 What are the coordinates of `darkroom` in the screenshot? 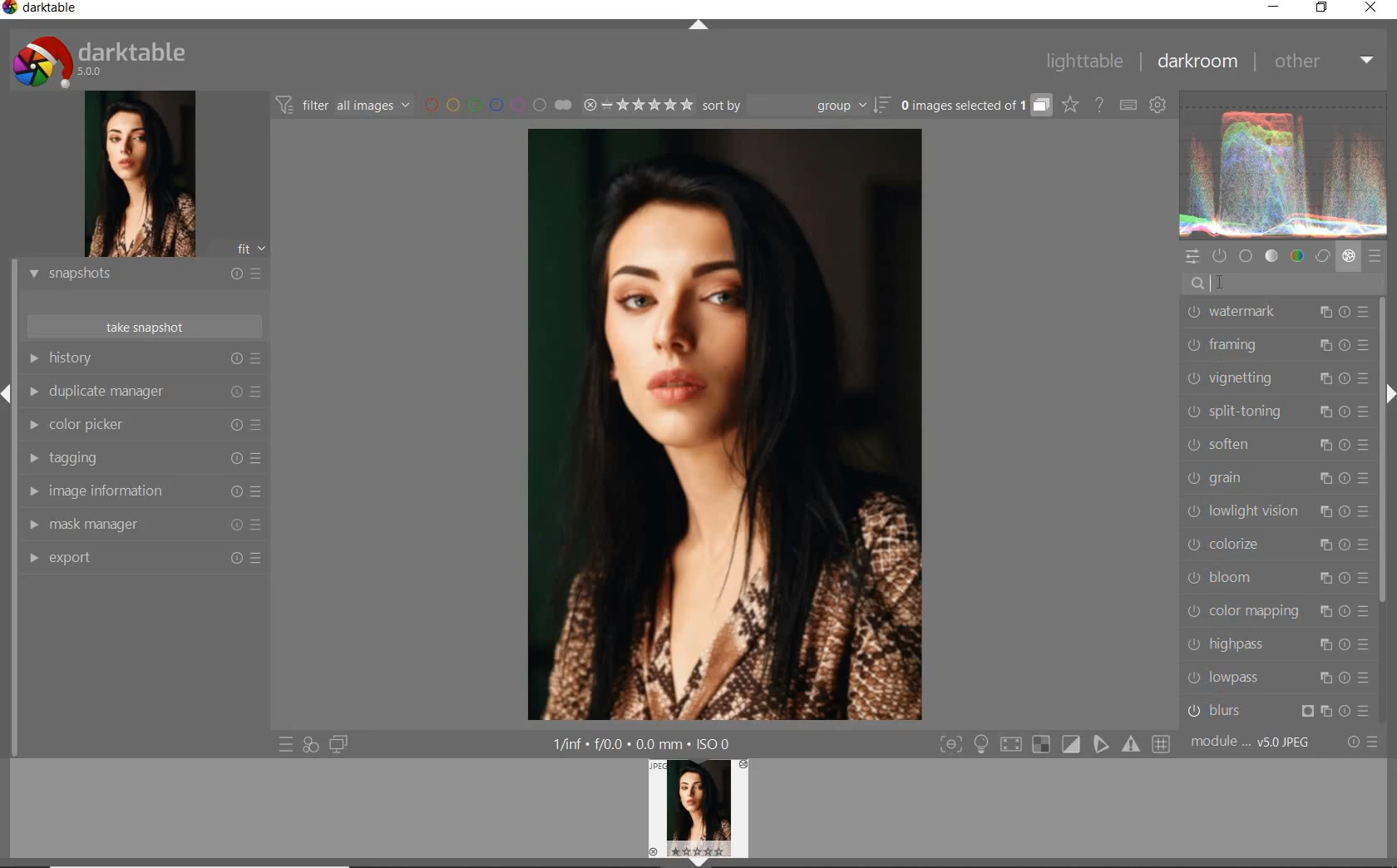 It's located at (1193, 60).